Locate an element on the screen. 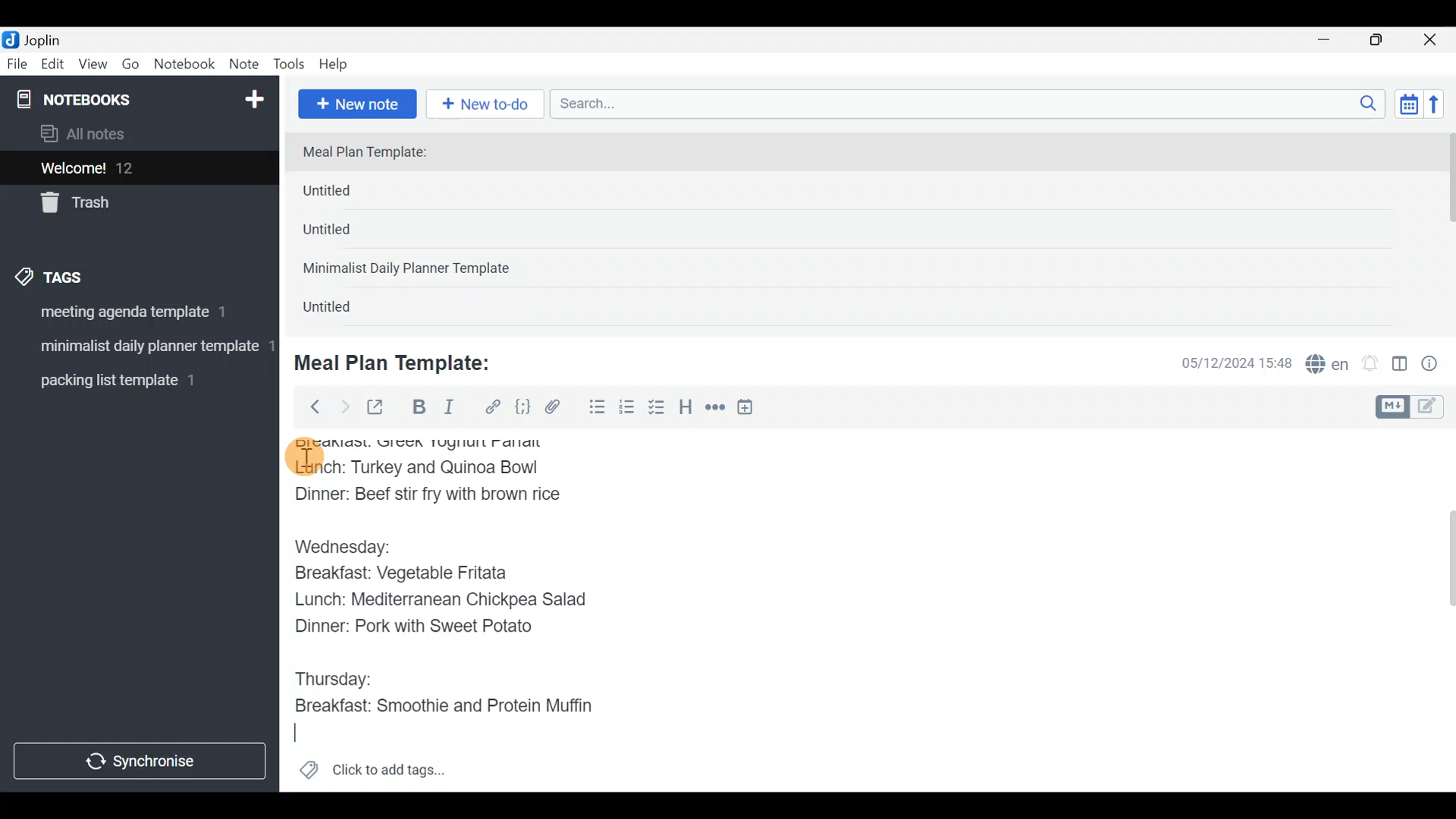 The width and height of the screenshot is (1456, 819). Minimize is located at coordinates (1332, 38).